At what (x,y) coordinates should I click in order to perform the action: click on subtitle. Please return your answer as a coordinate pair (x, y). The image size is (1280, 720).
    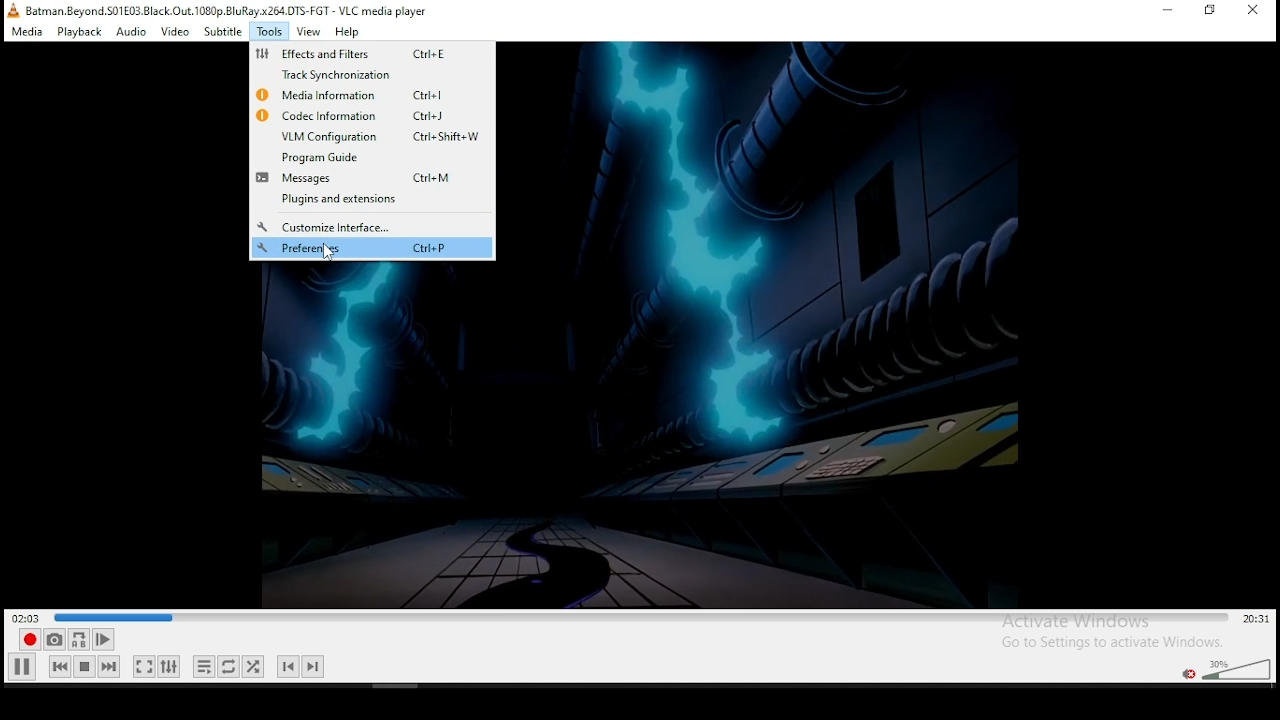
    Looking at the image, I should click on (223, 30).